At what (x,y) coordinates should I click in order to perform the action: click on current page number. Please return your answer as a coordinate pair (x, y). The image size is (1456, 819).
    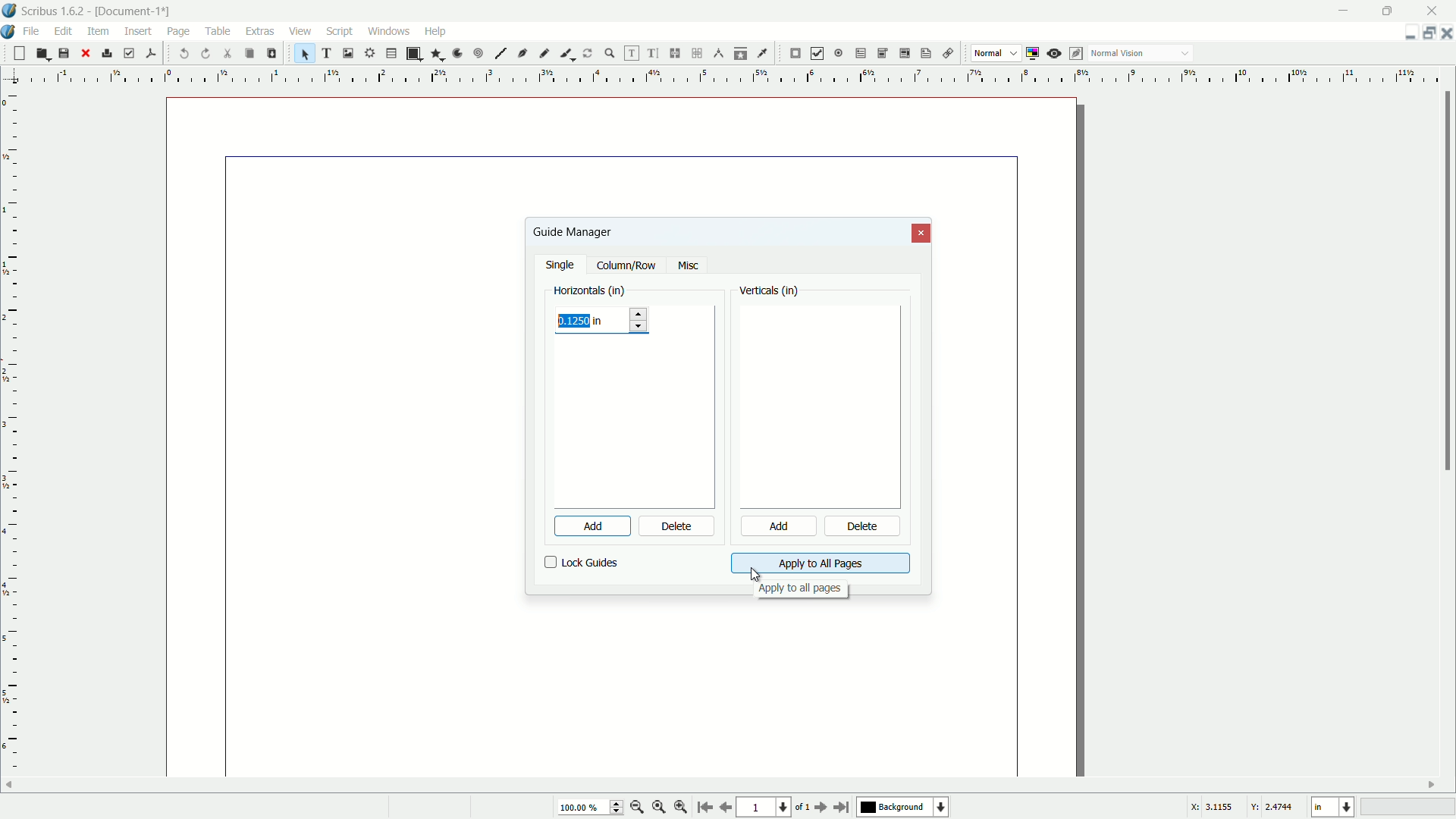
    Looking at the image, I should click on (763, 808).